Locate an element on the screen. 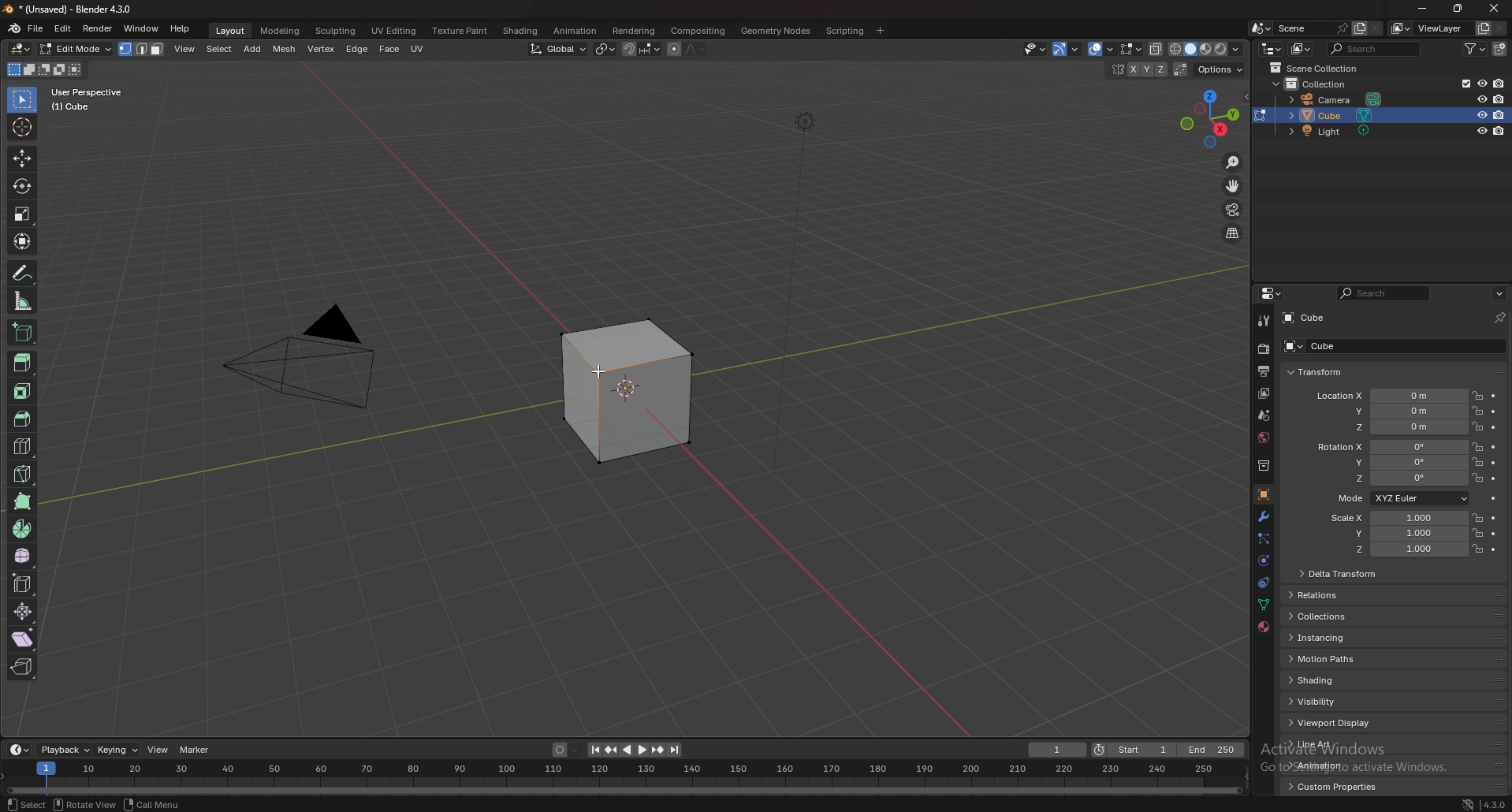 Image resolution: width=1512 pixels, height=812 pixels. scene collection is located at coordinates (1316, 68).